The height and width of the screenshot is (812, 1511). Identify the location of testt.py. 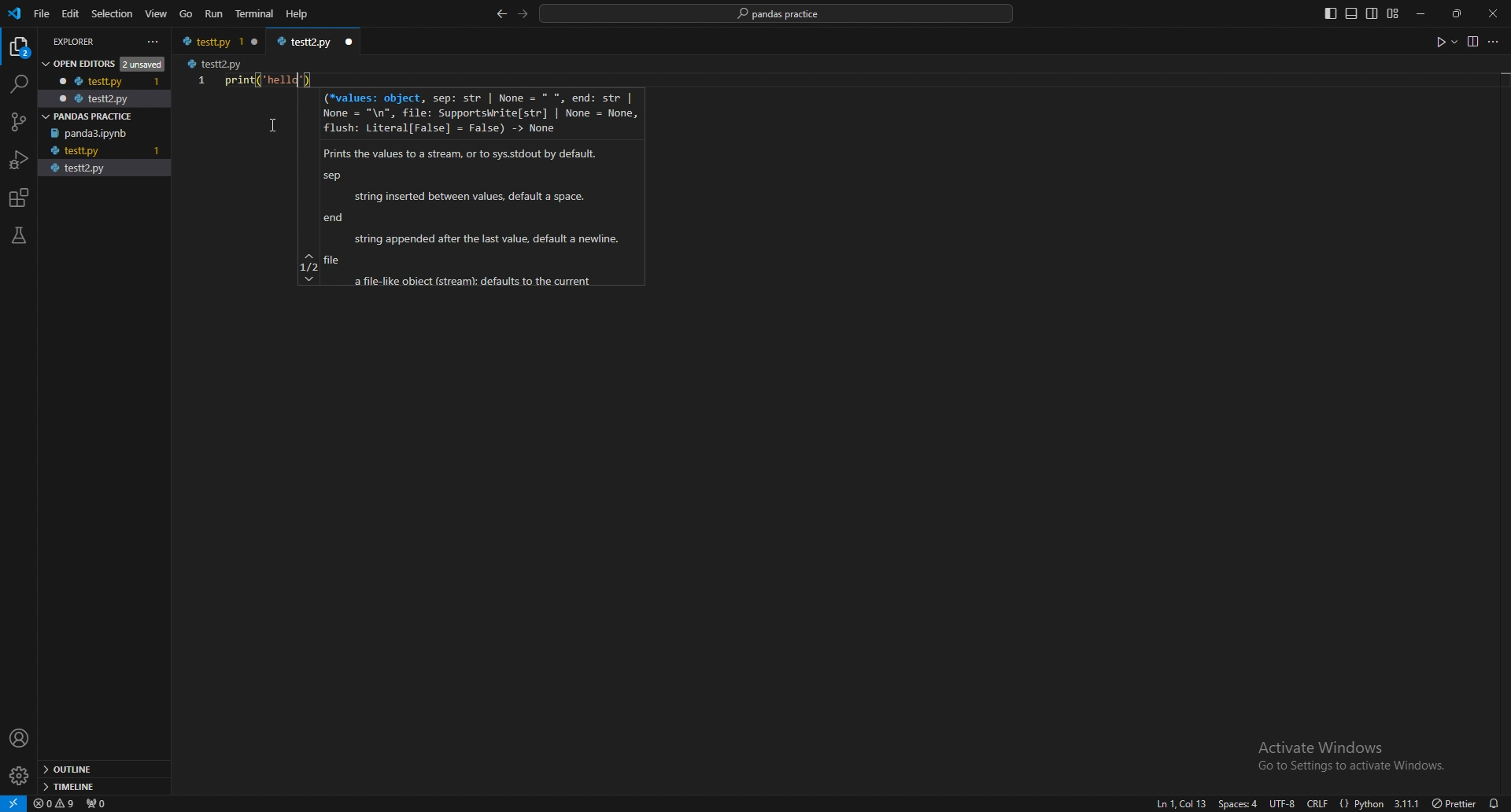
(208, 41).